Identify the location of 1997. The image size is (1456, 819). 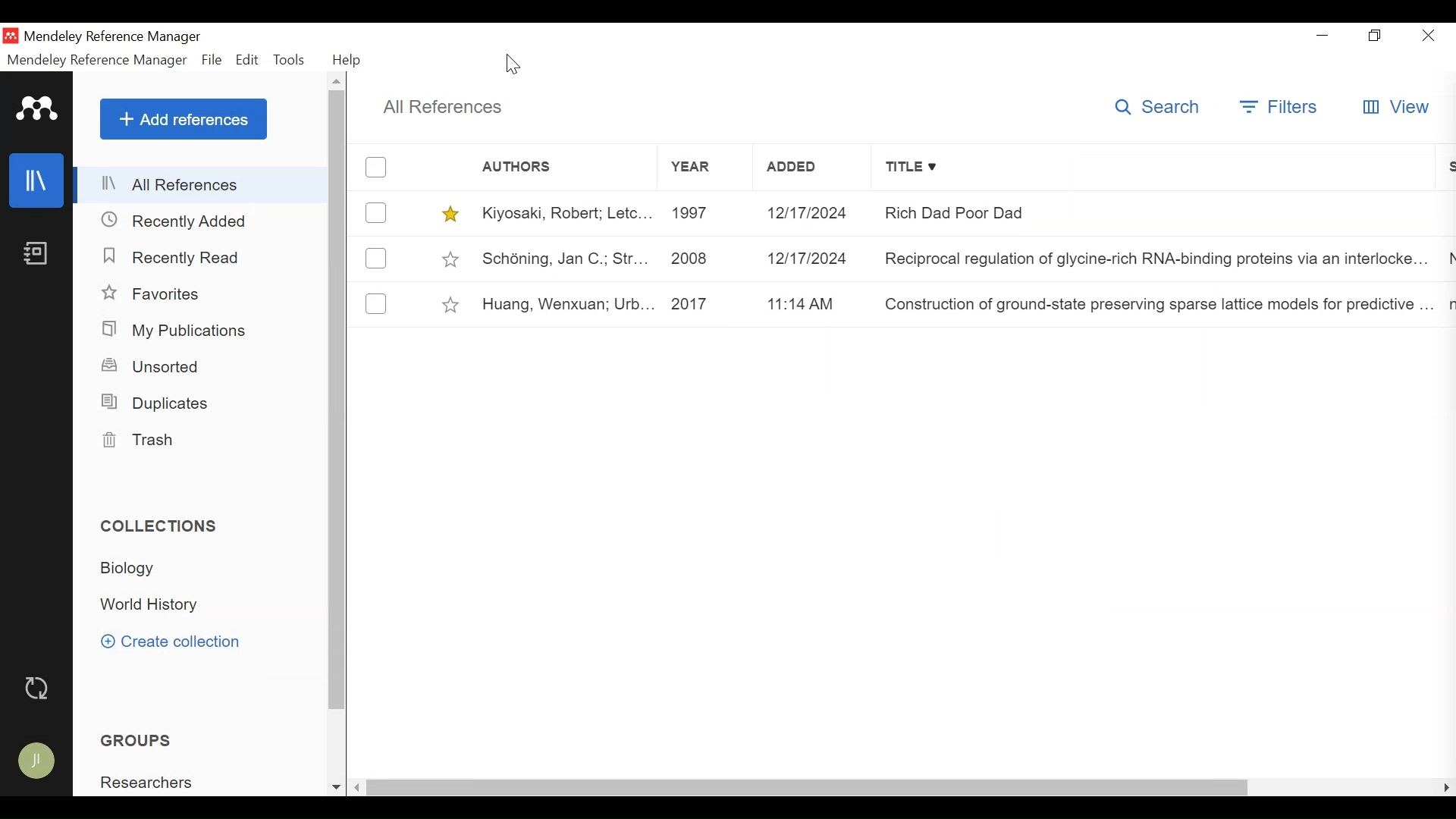
(699, 213).